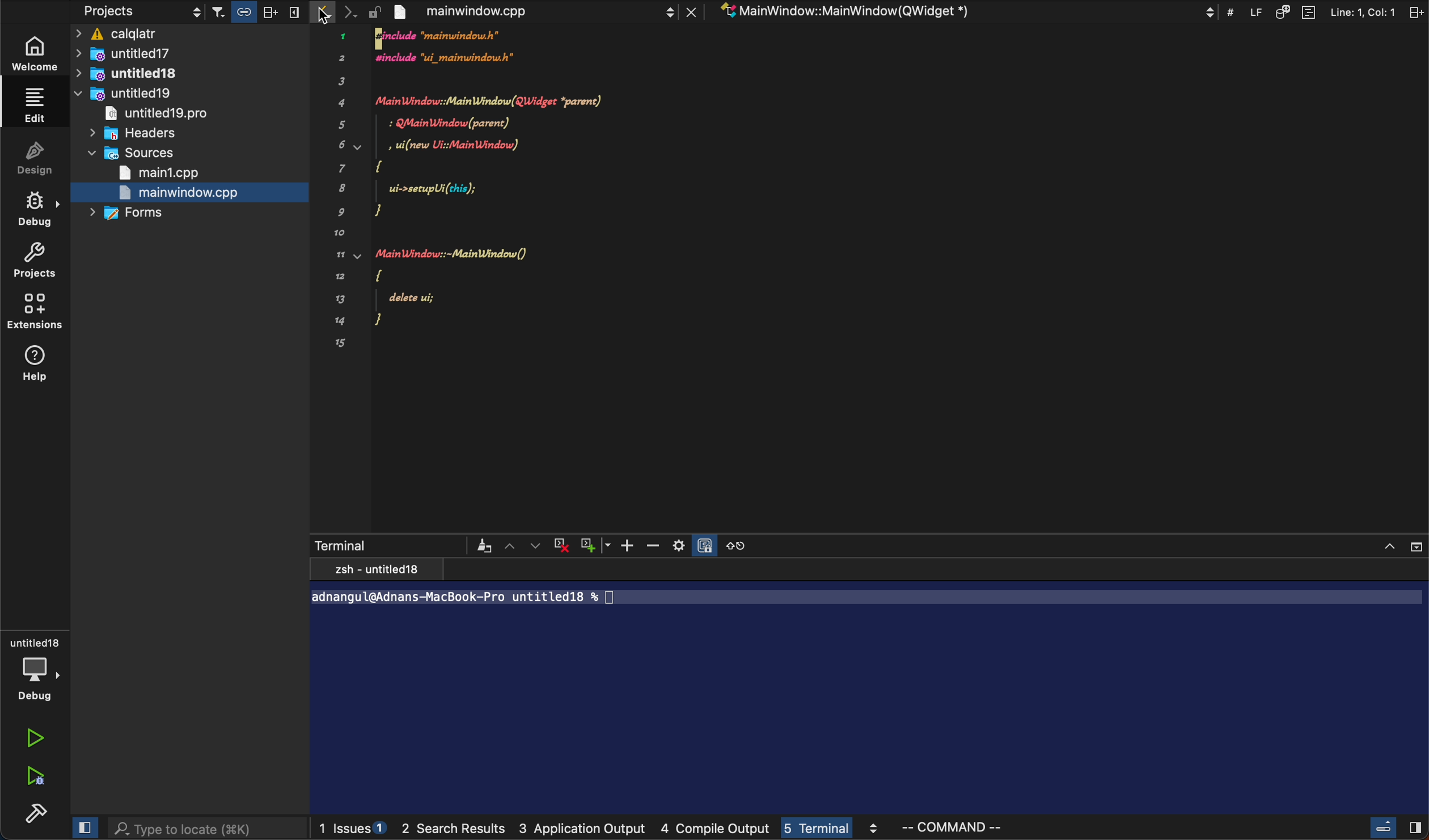 The image size is (1429, 840). Describe the element at coordinates (356, 12) in the screenshot. I see `forward arrow` at that location.